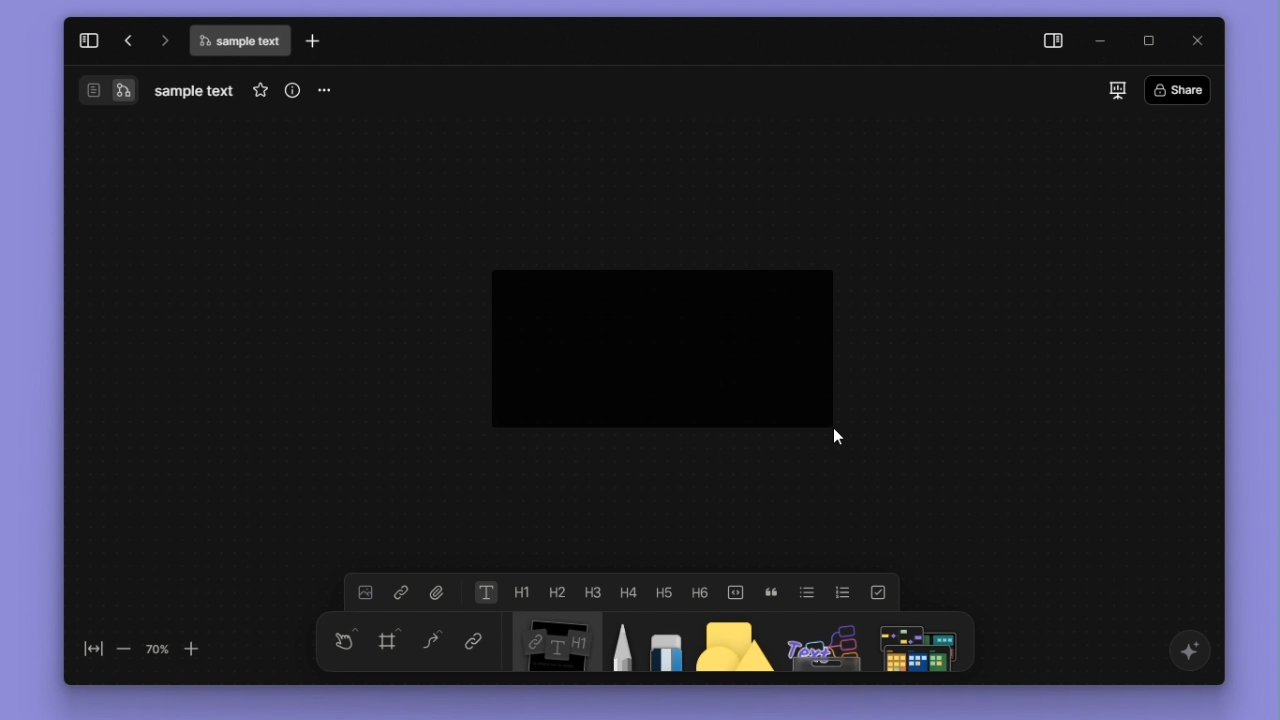 Image resolution: width=1280 pixels, height=720 pixels. I want to click on others, so click(819, 644).